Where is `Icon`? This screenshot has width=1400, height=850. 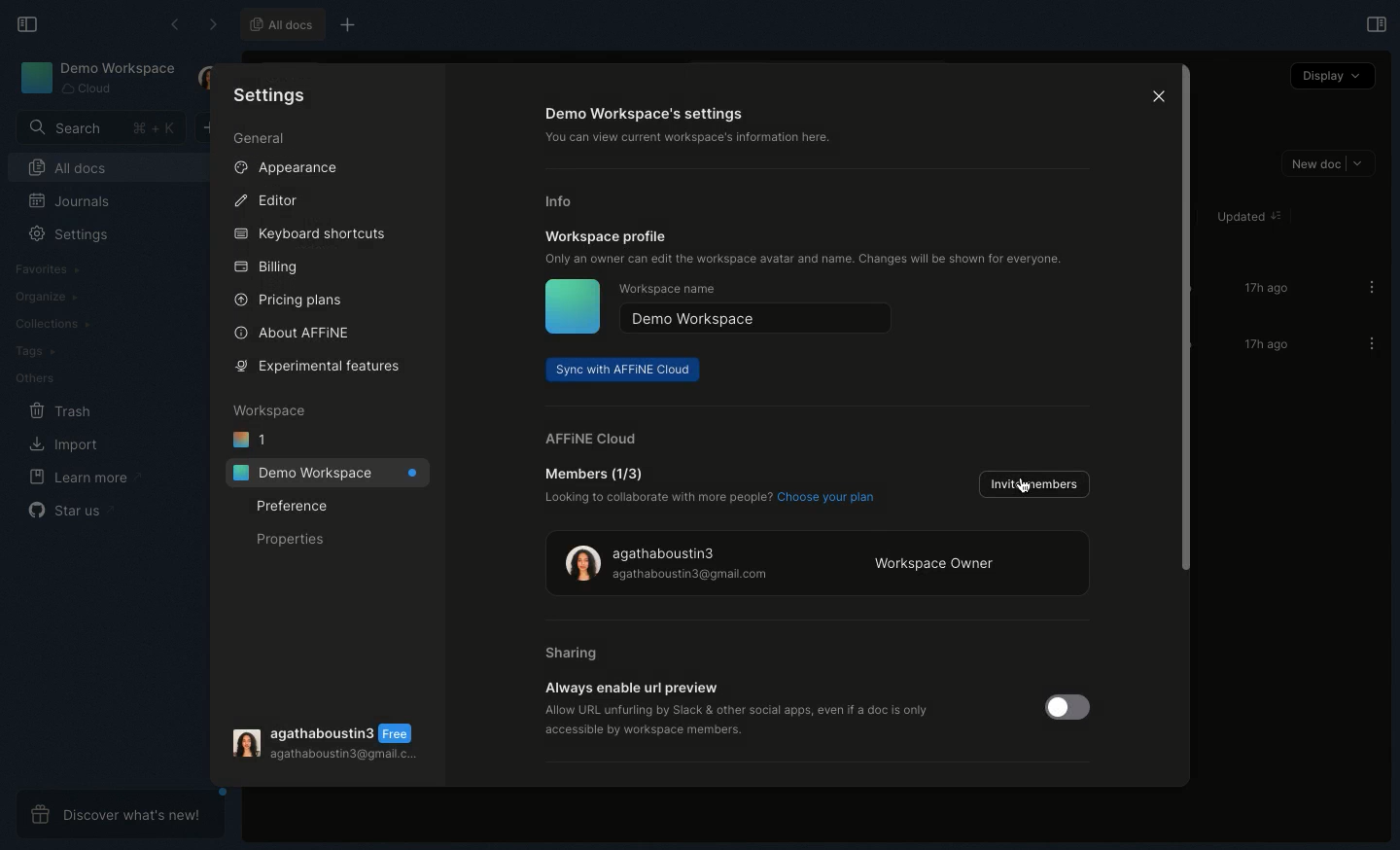 Icon is located at coordinates (572, 306).